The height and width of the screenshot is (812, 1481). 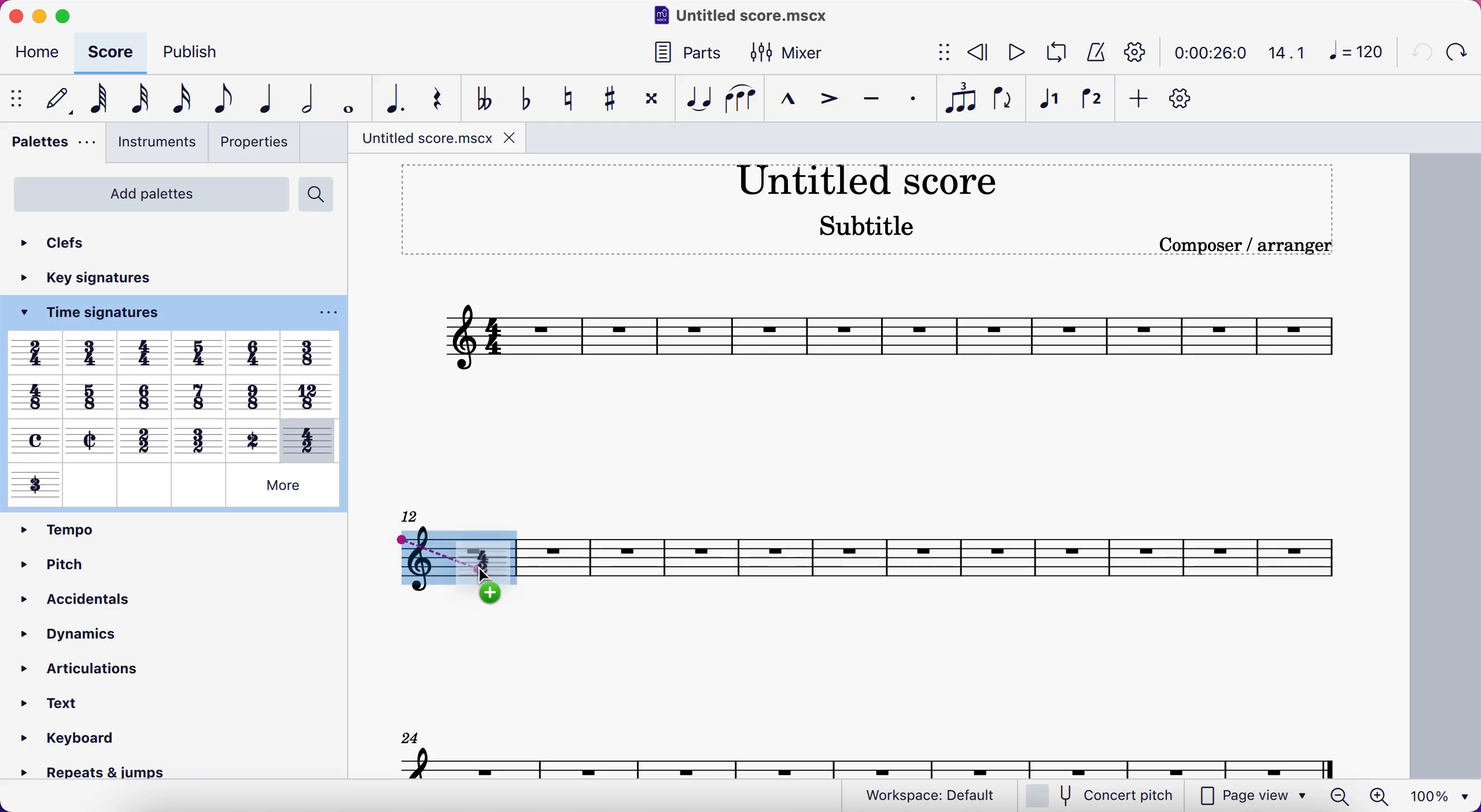 I want to click on search, so click(x=322, y=195).